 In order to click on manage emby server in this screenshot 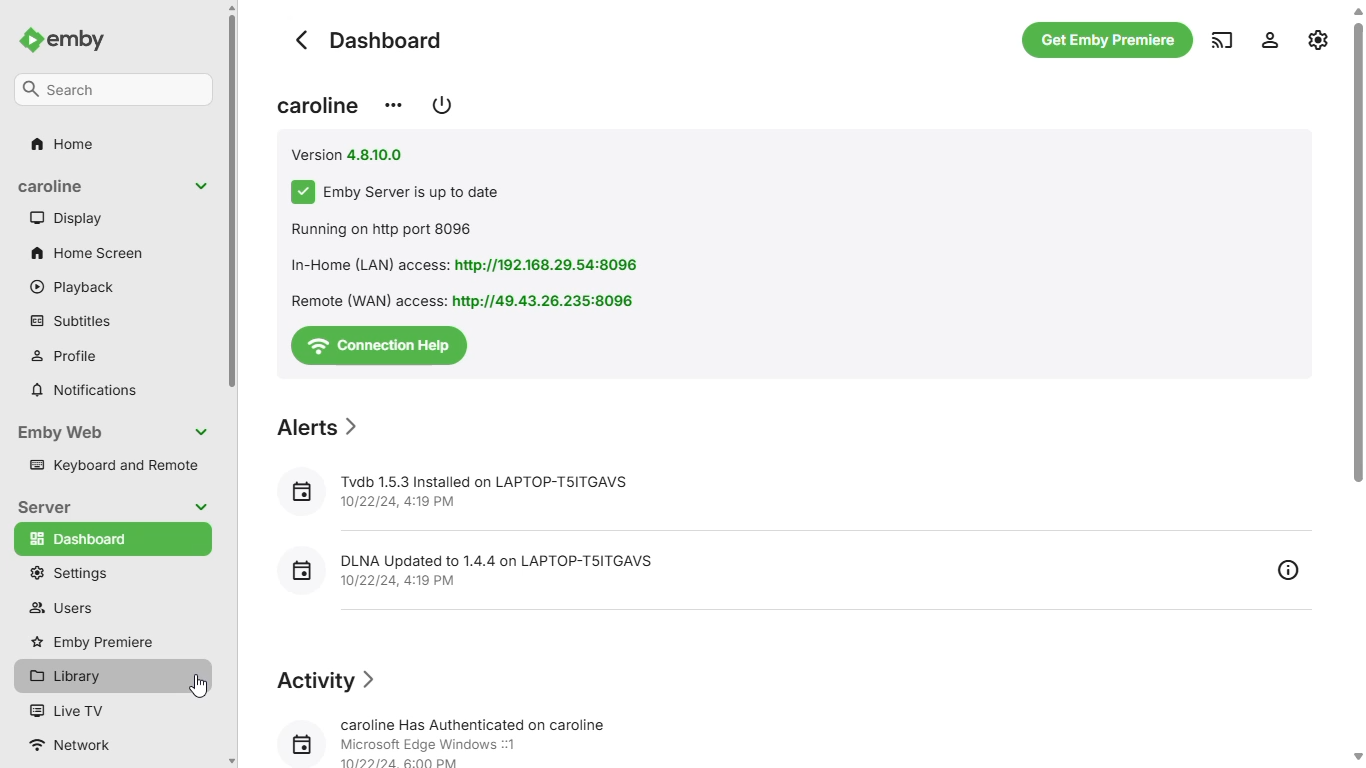, I will do `click(1270, 39)`.